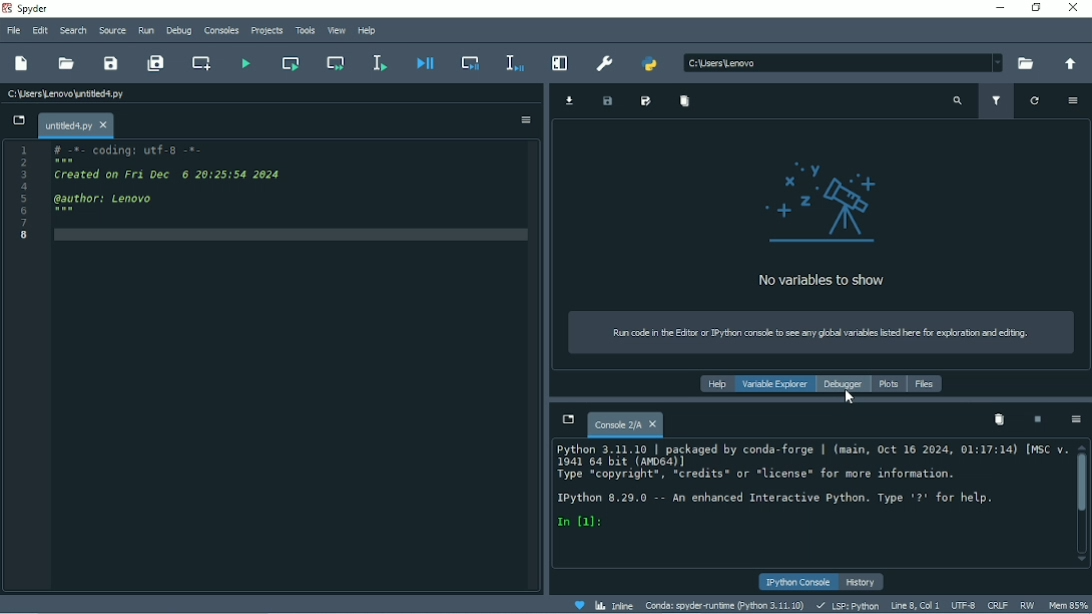 The image size is (1092, 614). What do you see at coordinates (305, 31) in the screenshot?
I see `Tools` at bounding box center [305, 31].